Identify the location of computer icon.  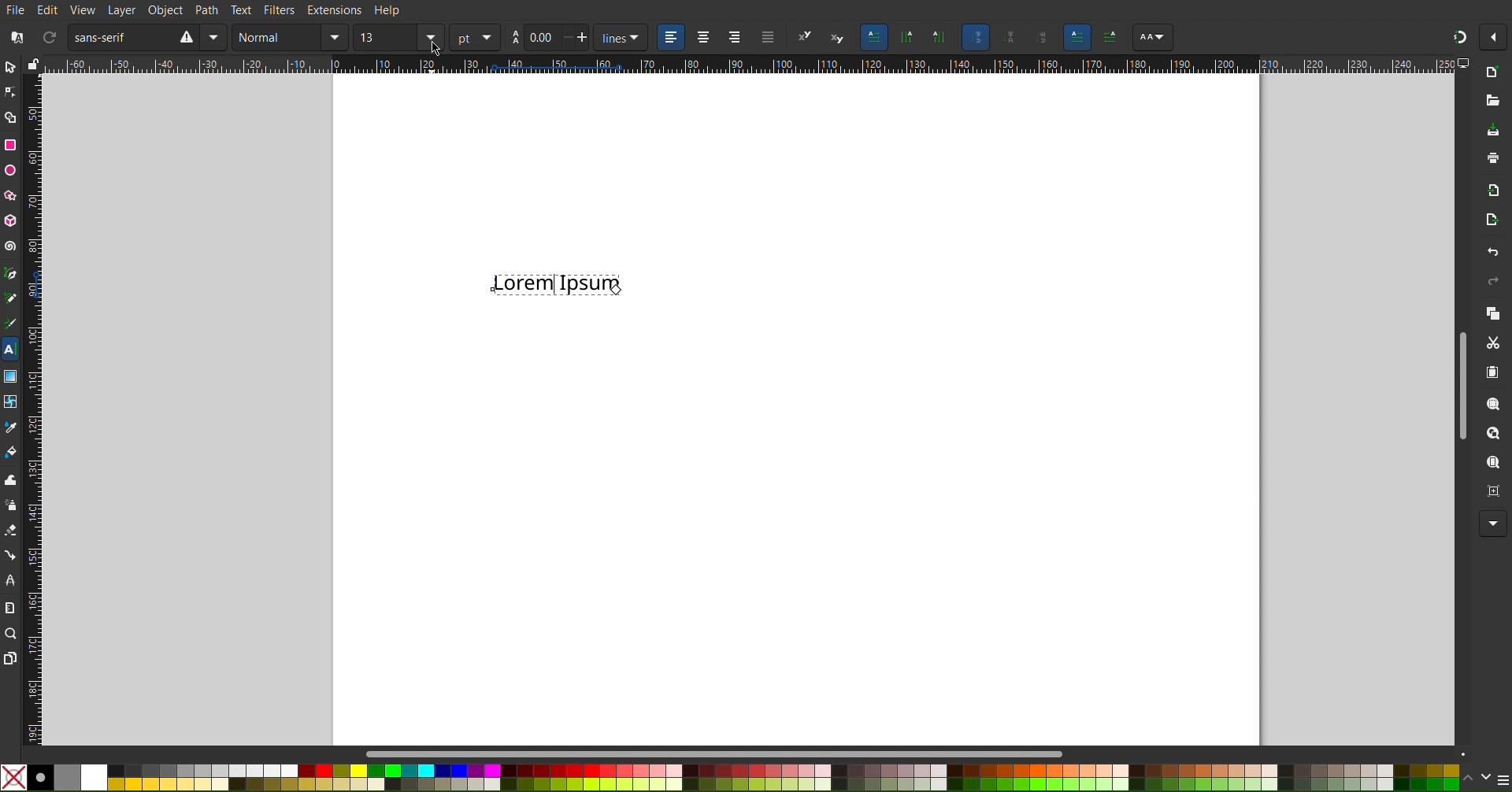
(1465, 63).